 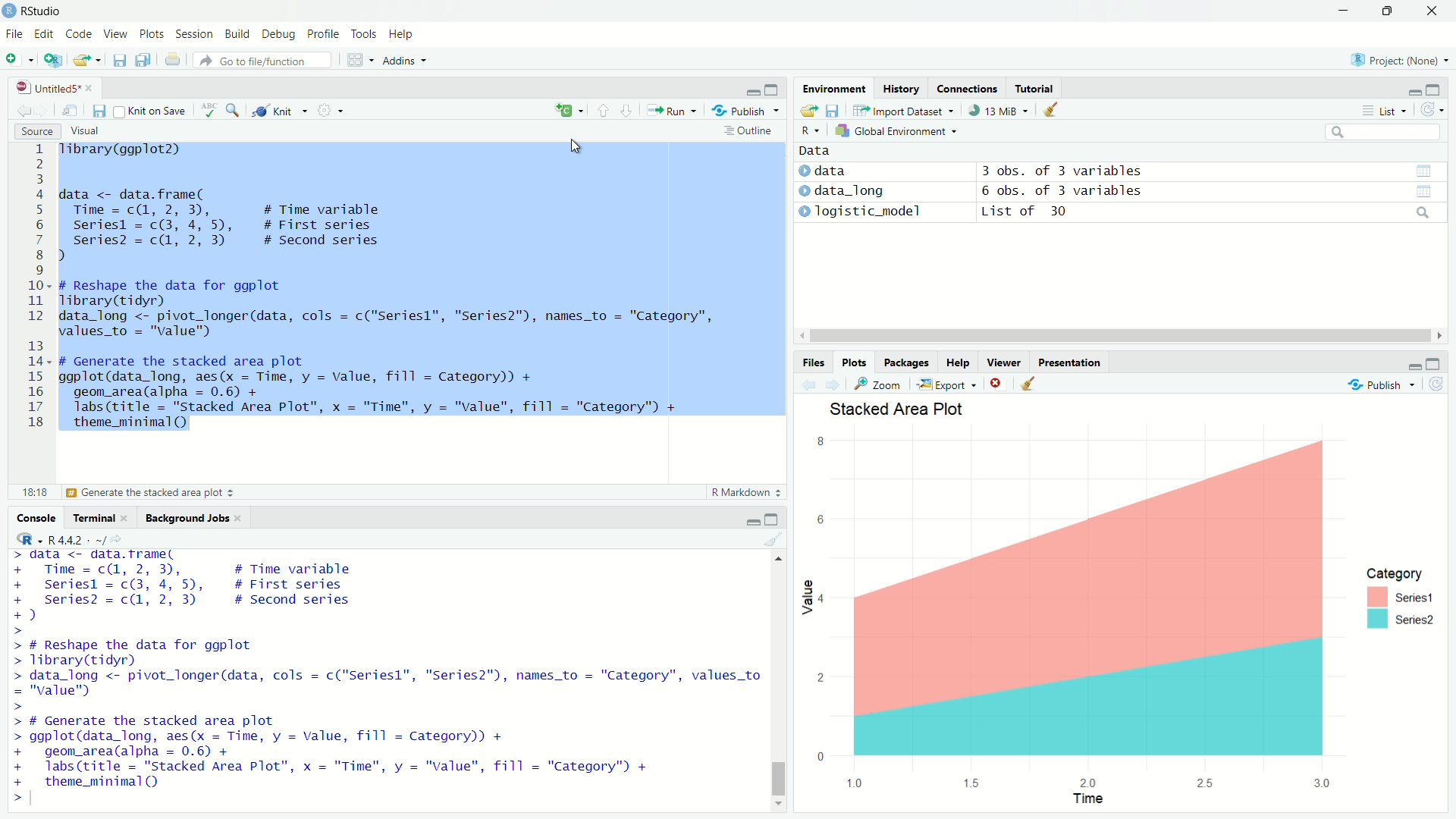 What do you see at coordinates (320, 33) in the screenshot?
I see `Profile` at bounding box center [320, 33].